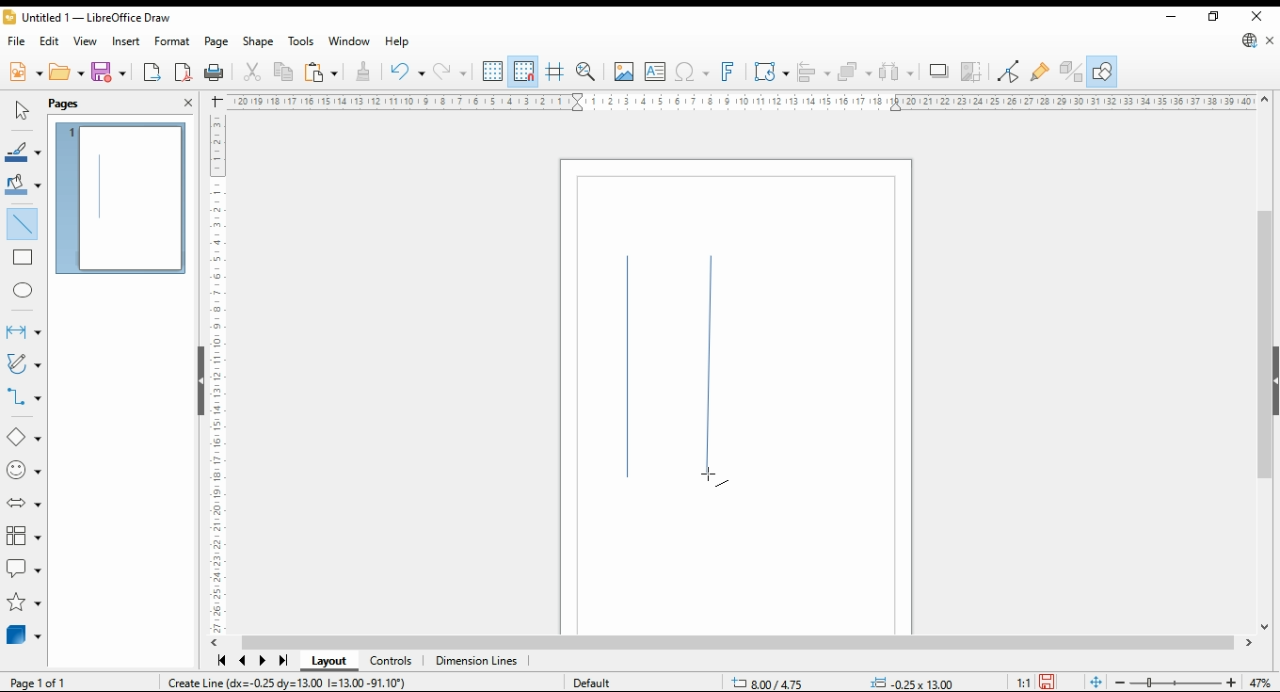  I want to click on collapse, so click(1274, 379).